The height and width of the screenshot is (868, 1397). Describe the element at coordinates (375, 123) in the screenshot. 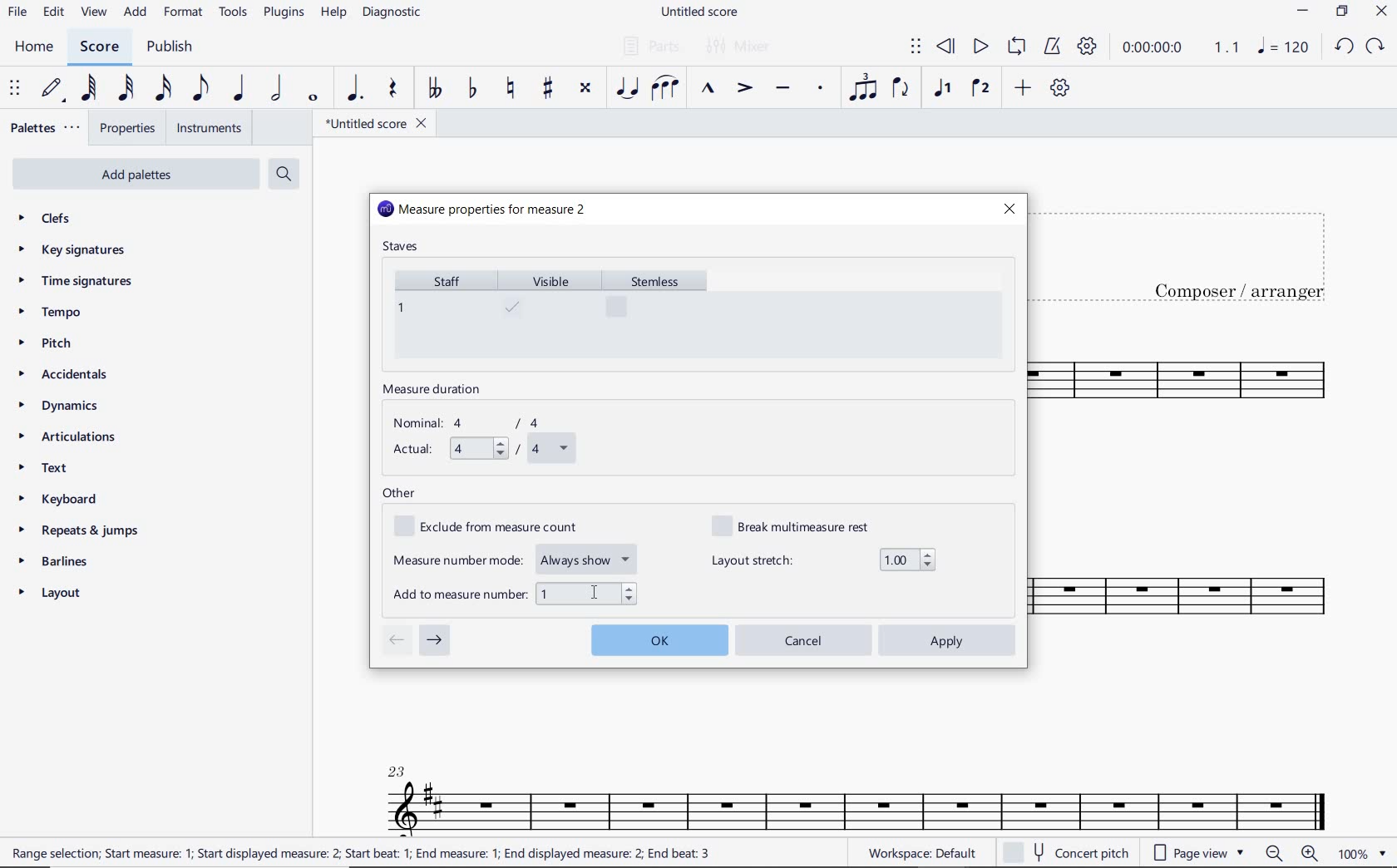

I see `FILE NAME` at that location.